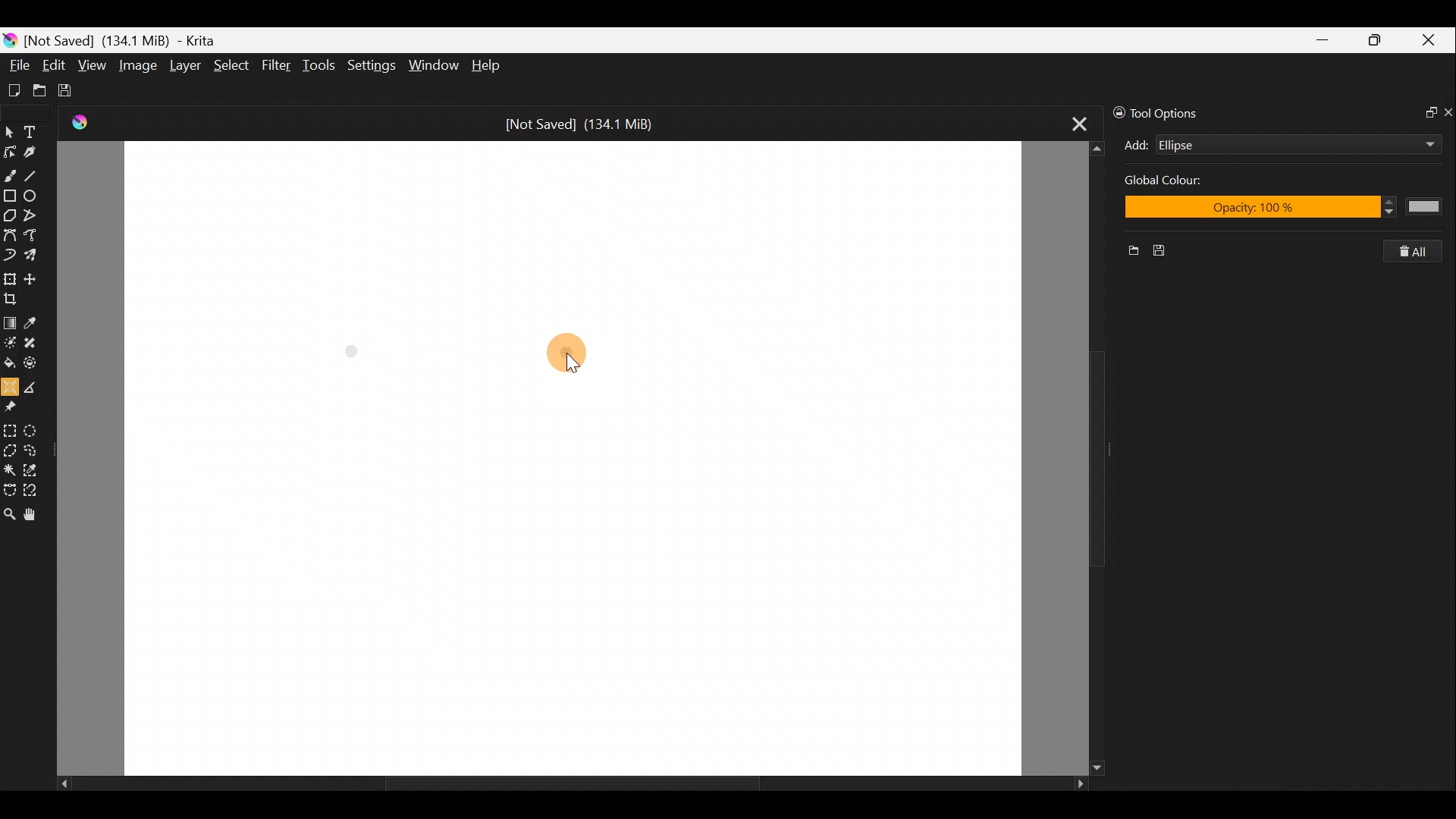 The height and width of the screenshot is (819, 1456). Describe the element at coordinates (10, 322) in the screenshot. I see `Draw a gradient` at that location.